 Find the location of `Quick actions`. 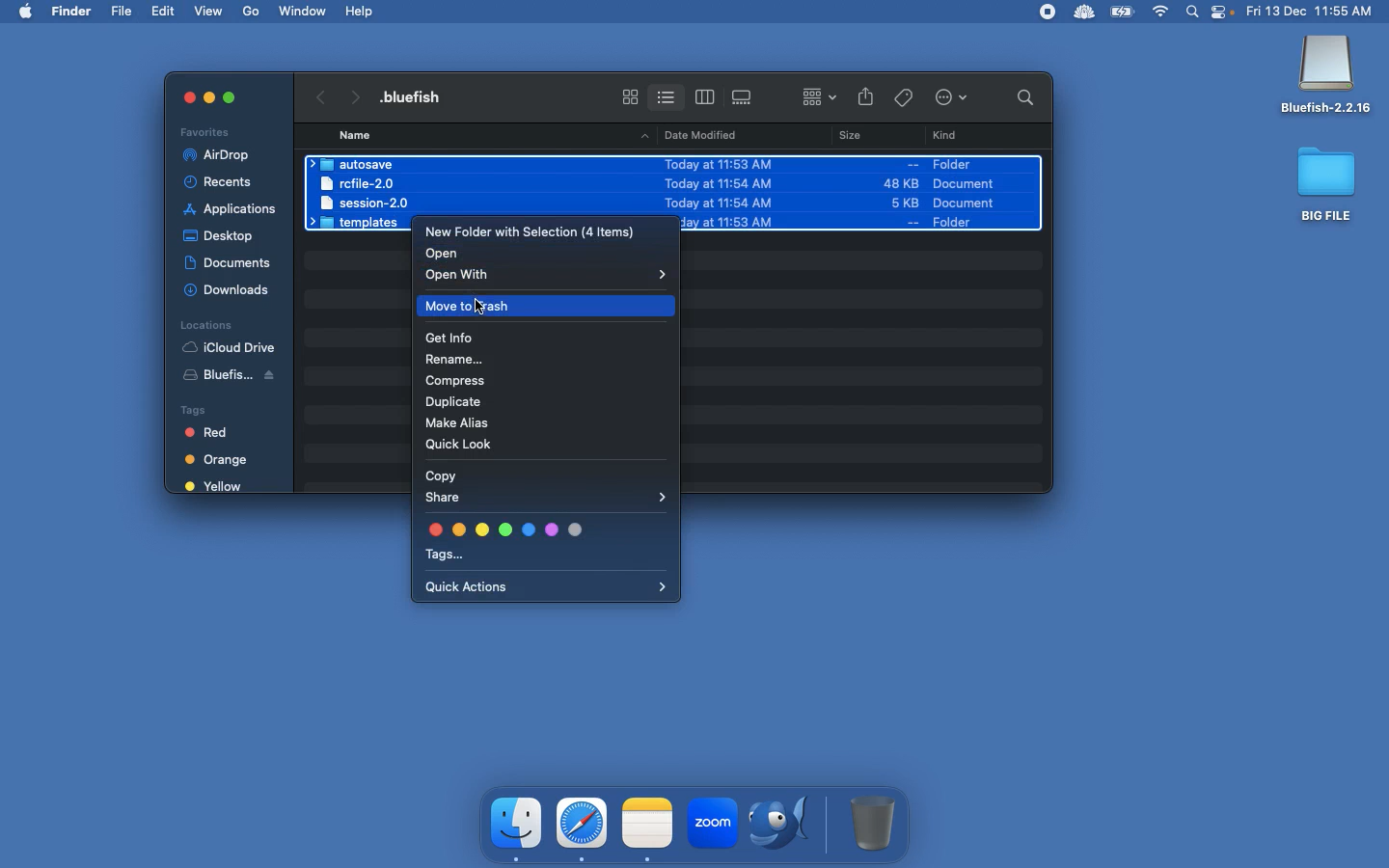

Quick actions is located at coordinates (546, 588).